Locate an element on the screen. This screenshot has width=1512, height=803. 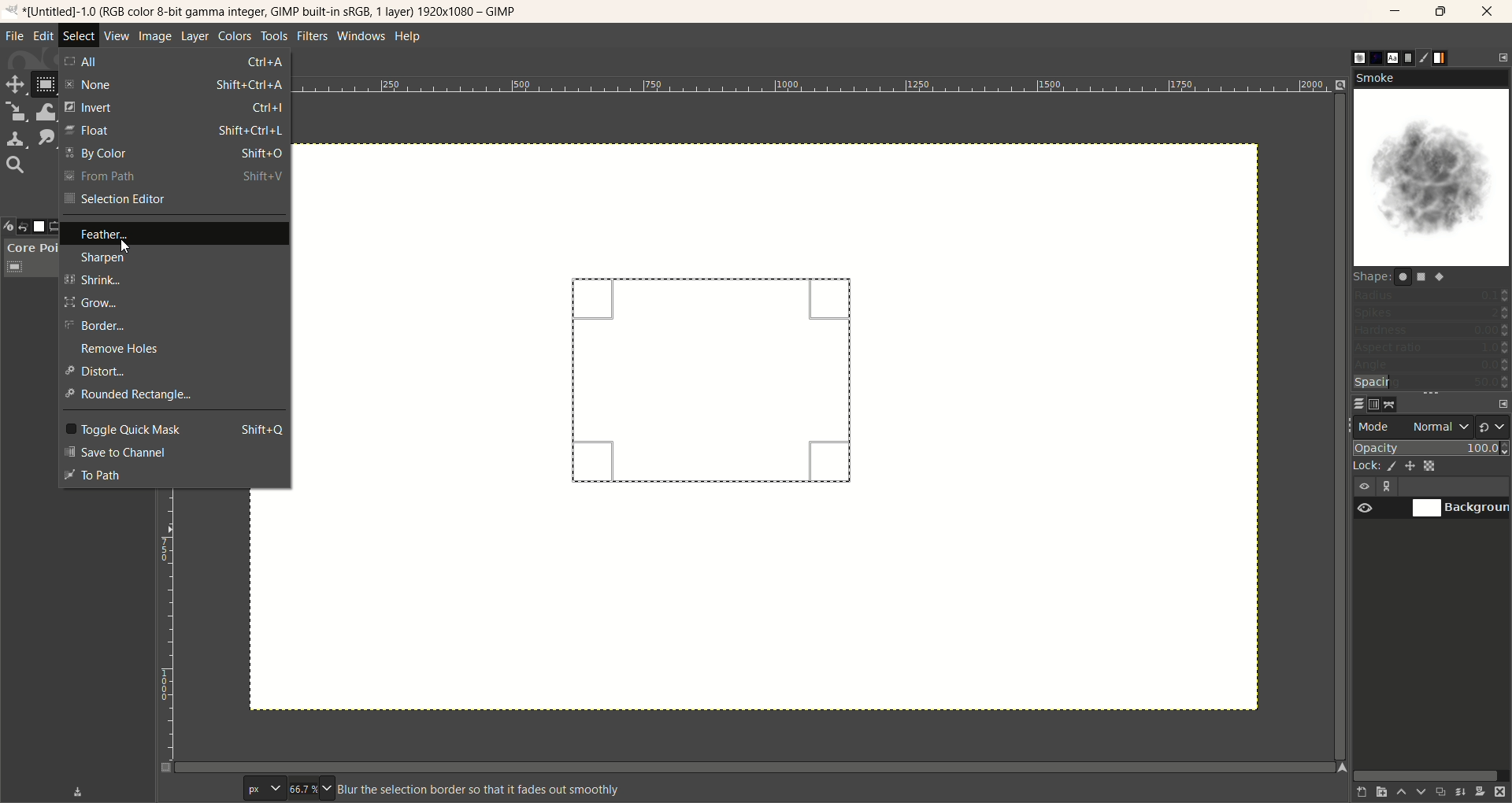
toggle quick mask is located at coordinates (176, 427).